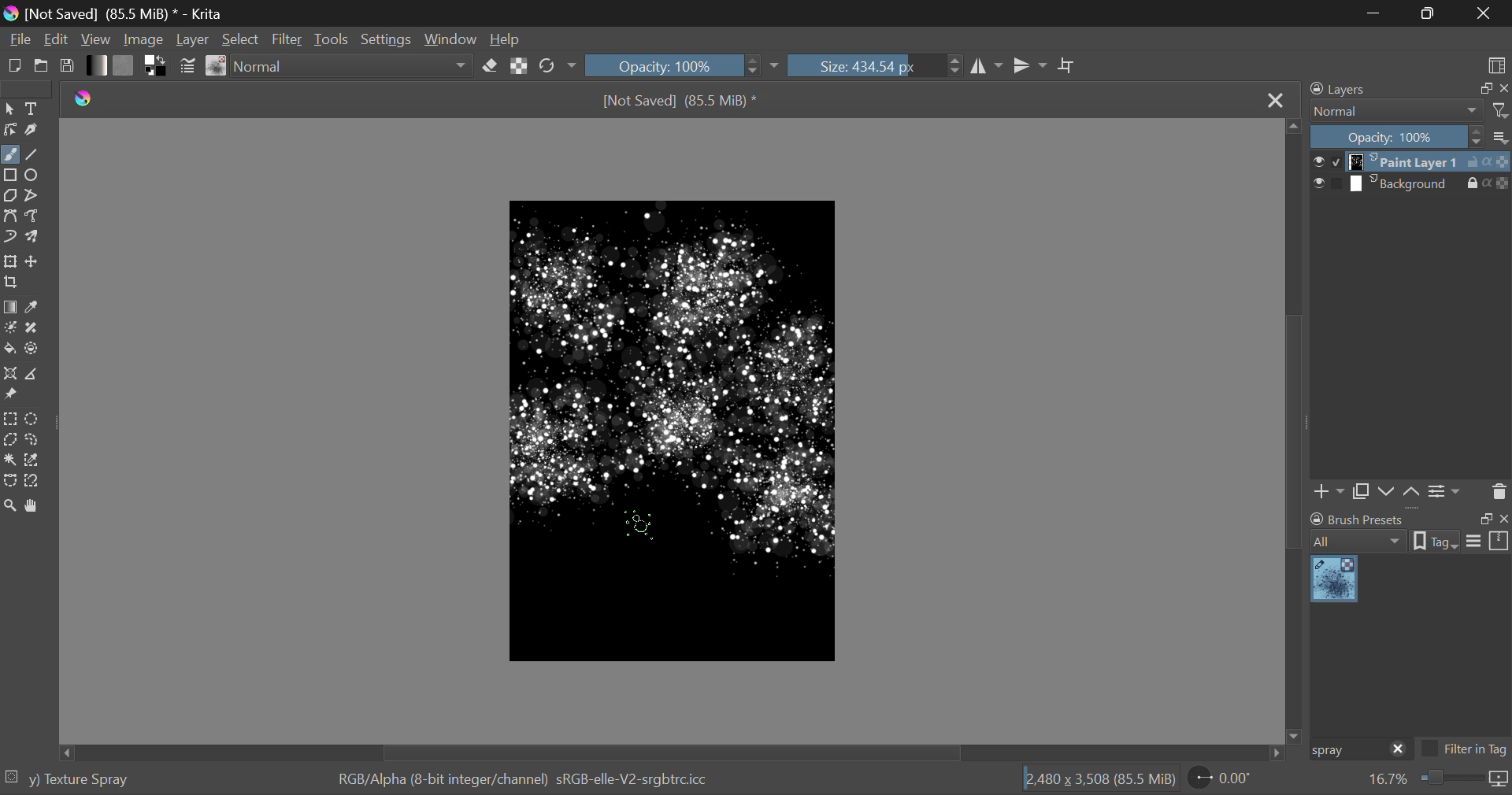  I want to click on Gradient, so click(98, 65).